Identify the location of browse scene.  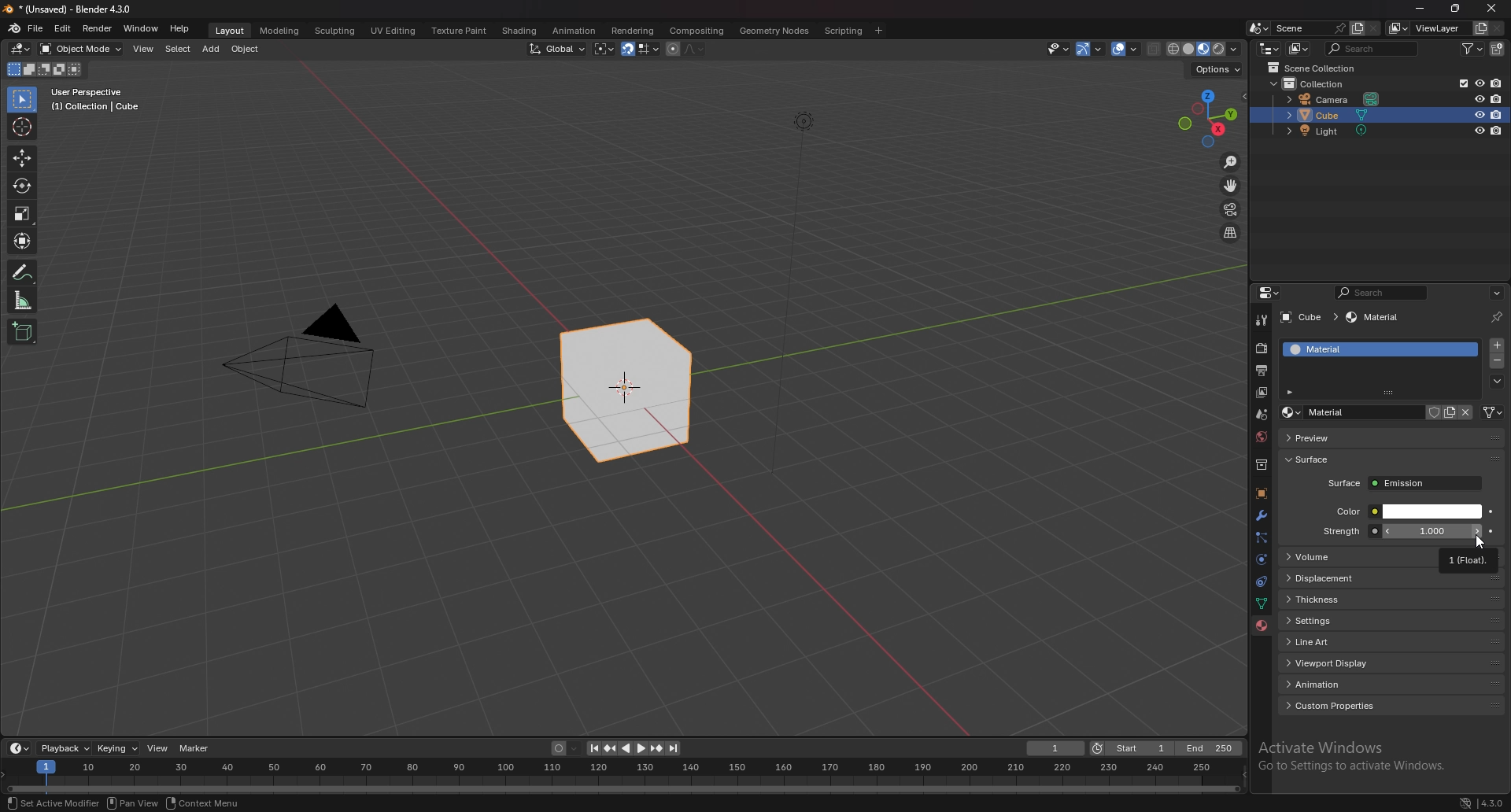
(1259, 28).